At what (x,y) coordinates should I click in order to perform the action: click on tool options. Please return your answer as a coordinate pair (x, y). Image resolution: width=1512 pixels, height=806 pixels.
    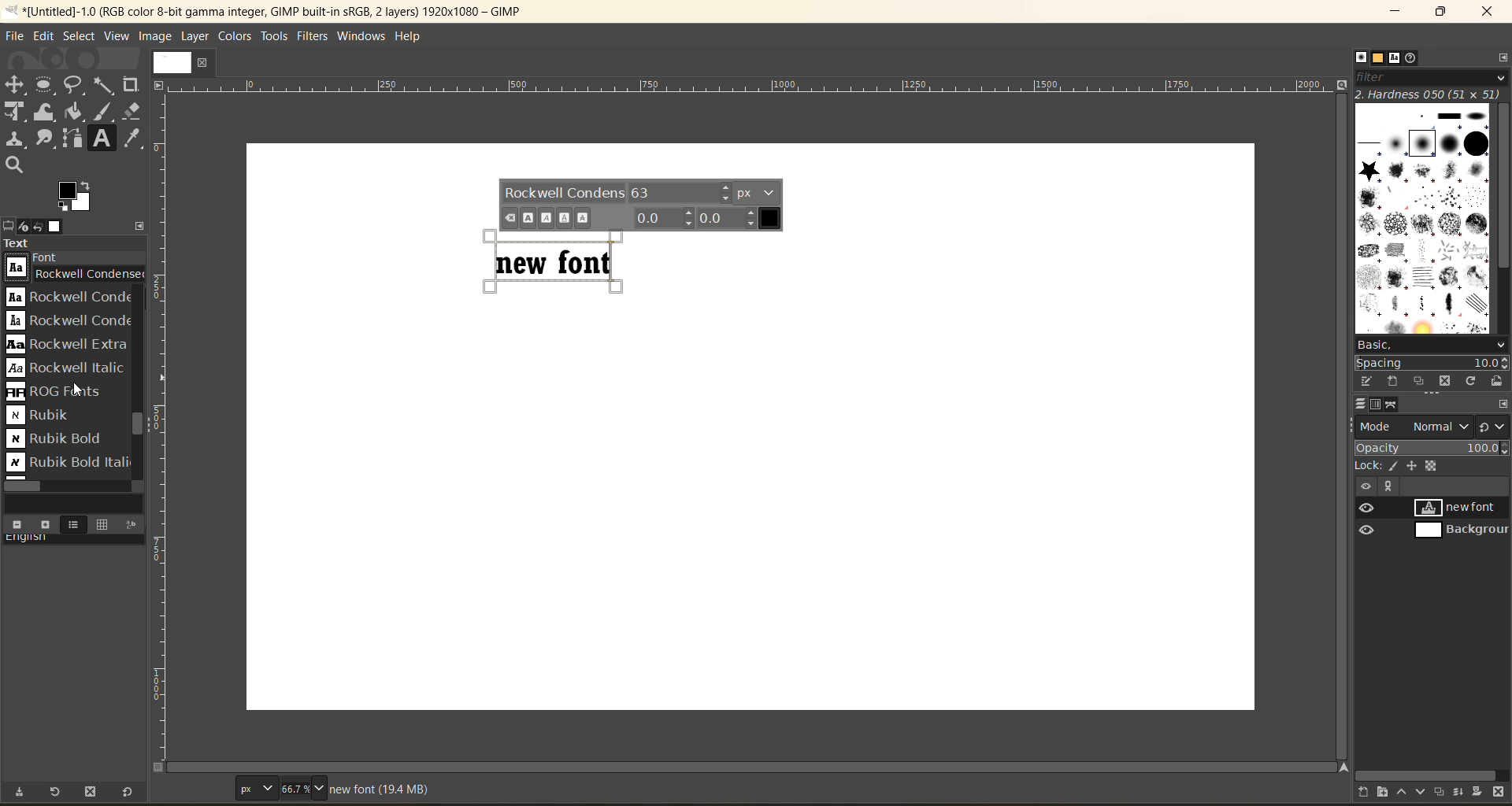
    Looking at the image, I should click on (9, 225).